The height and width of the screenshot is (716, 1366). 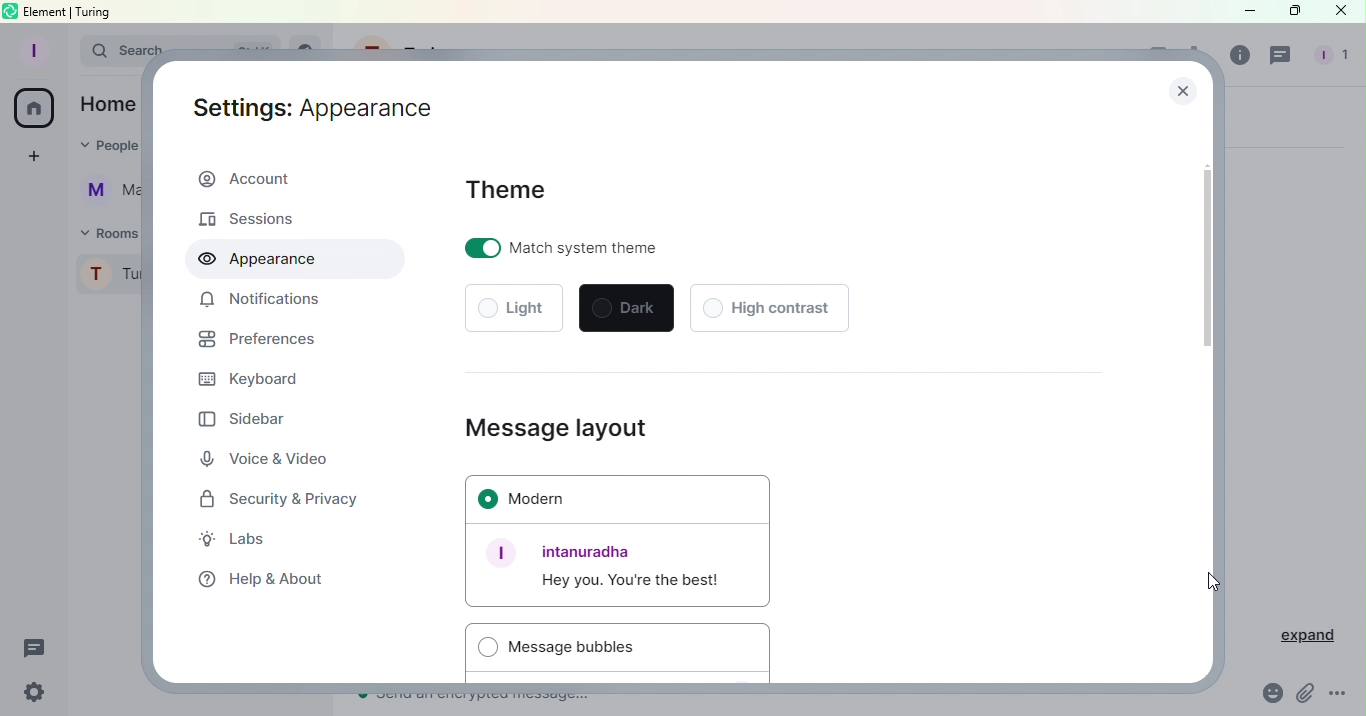 I want to click on Close, so click(x=1342, y=12).